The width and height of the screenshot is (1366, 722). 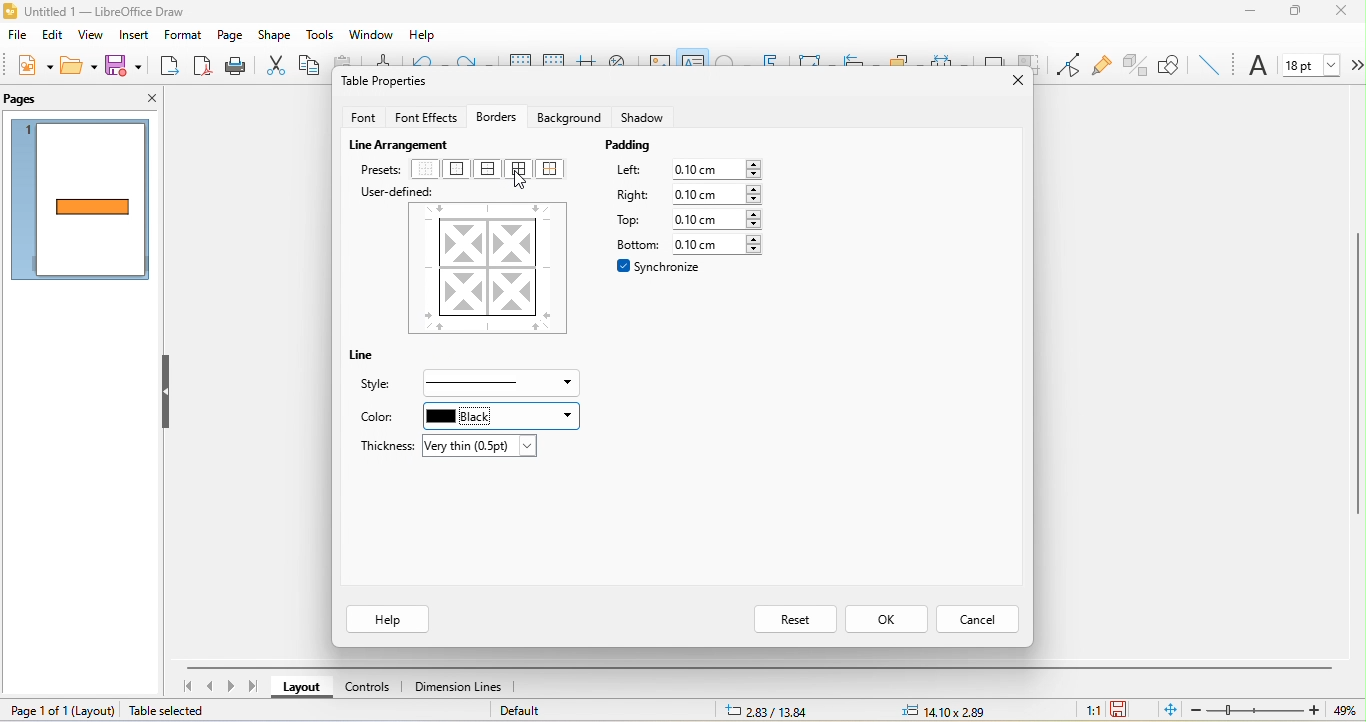 What do you see at coordinates (202, 65) in the screenshot?
I see `export directly as pdf` at bounding box center [202, 65].